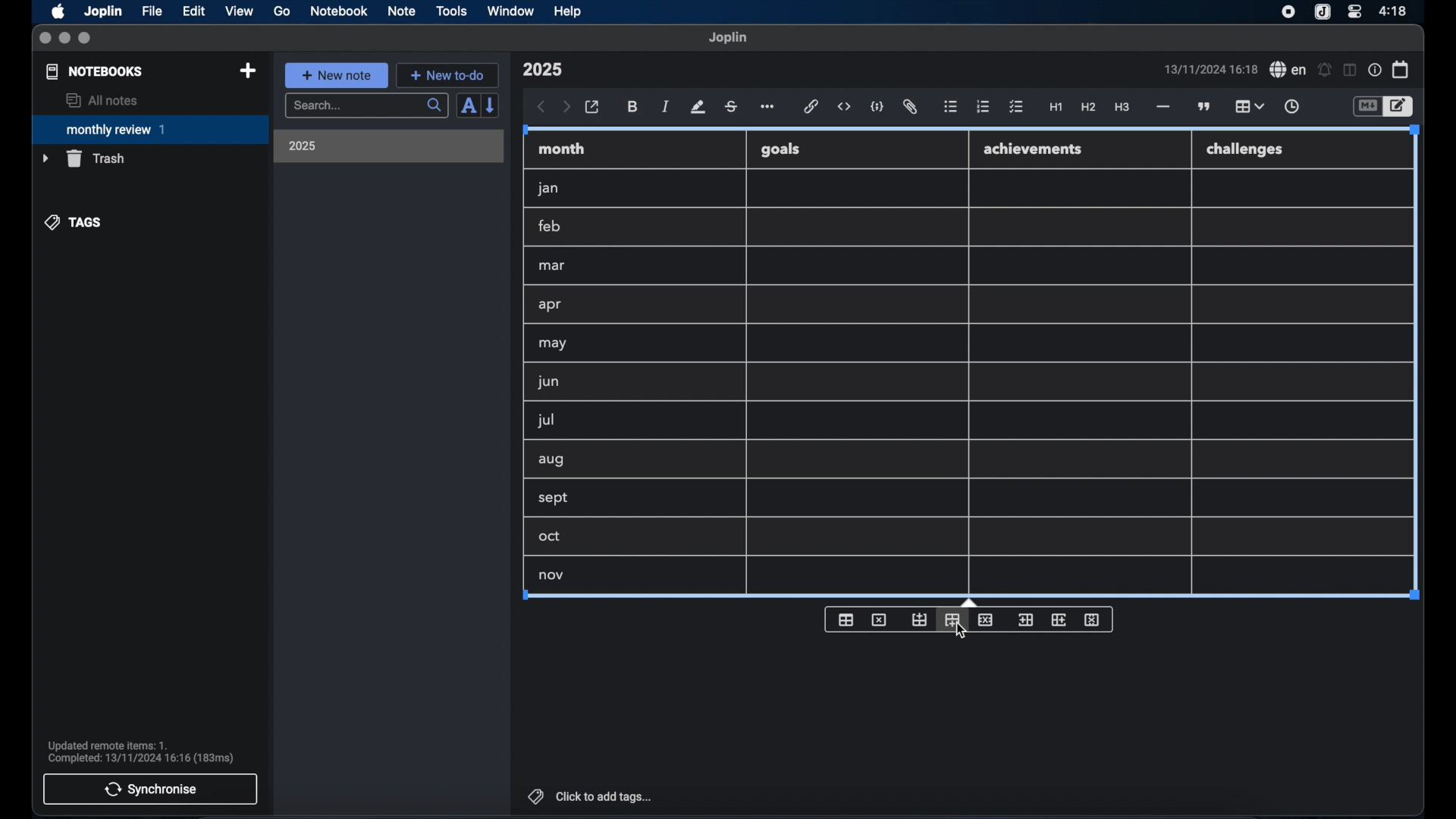 The height and width of the screenshot is (819, 1456). I want to click on inline code, so click(844, 107).